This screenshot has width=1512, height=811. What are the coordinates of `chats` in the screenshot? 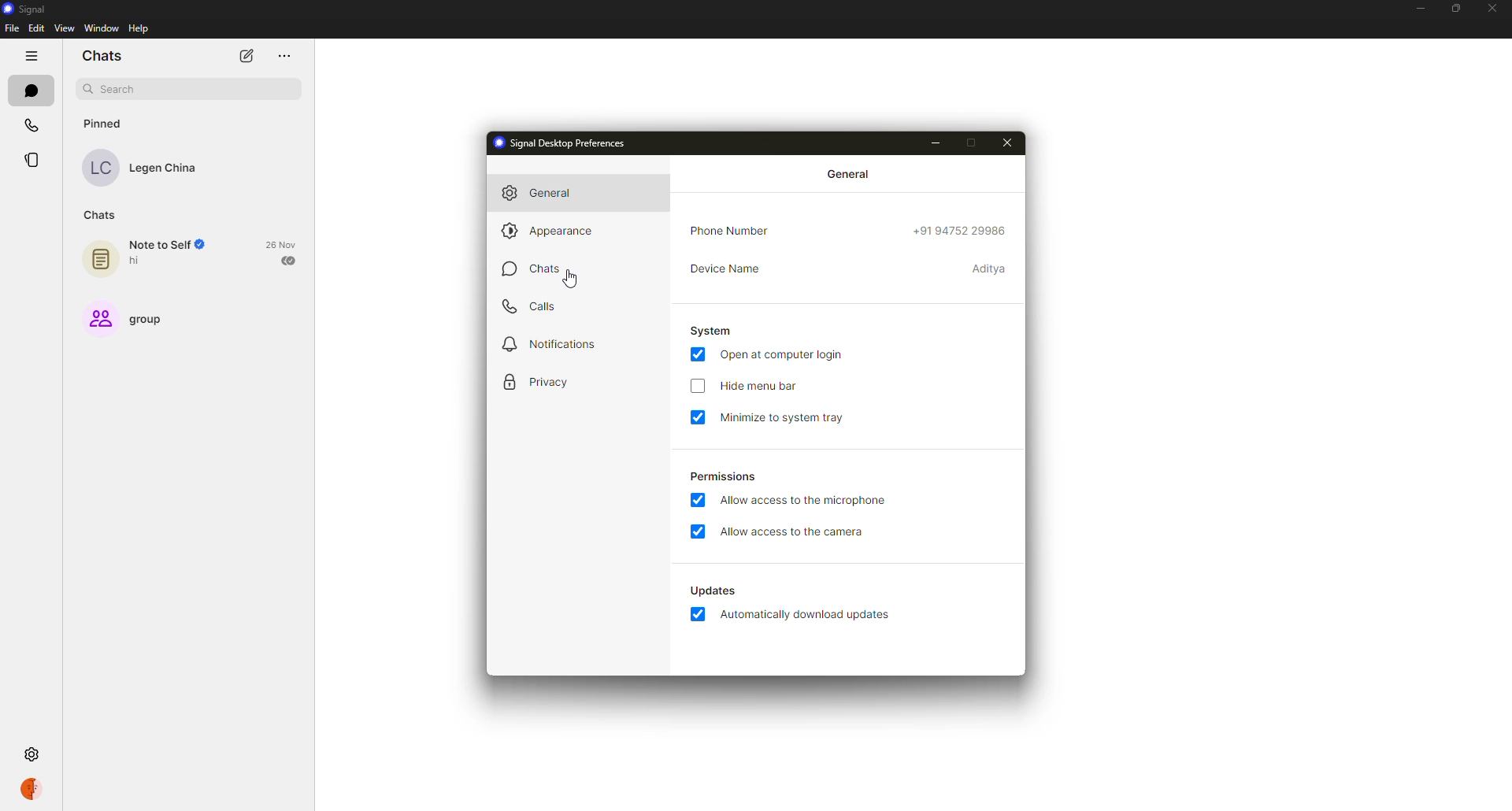 It's located at (97, 214).